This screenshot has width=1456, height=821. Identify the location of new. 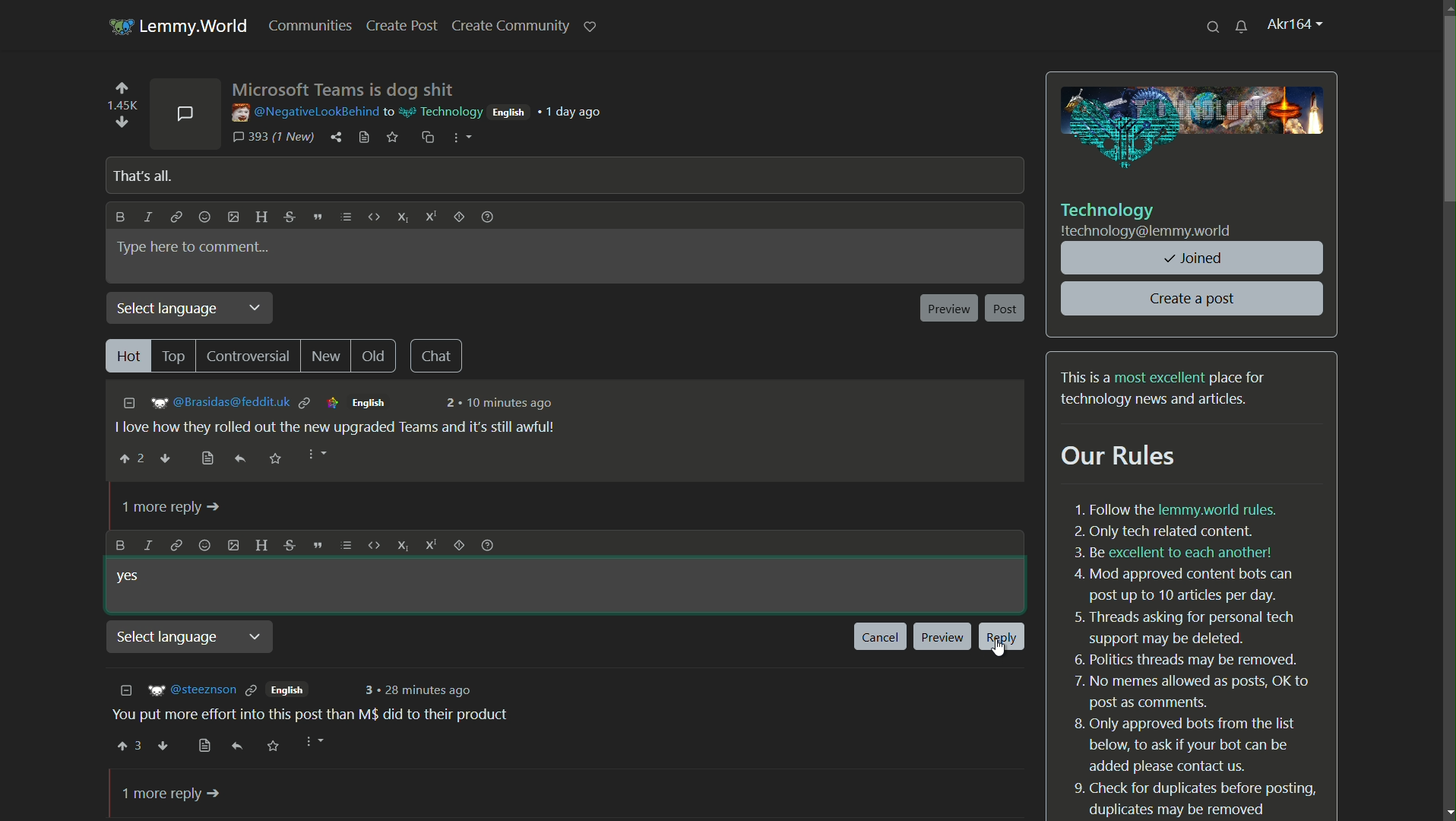
(328, 357).